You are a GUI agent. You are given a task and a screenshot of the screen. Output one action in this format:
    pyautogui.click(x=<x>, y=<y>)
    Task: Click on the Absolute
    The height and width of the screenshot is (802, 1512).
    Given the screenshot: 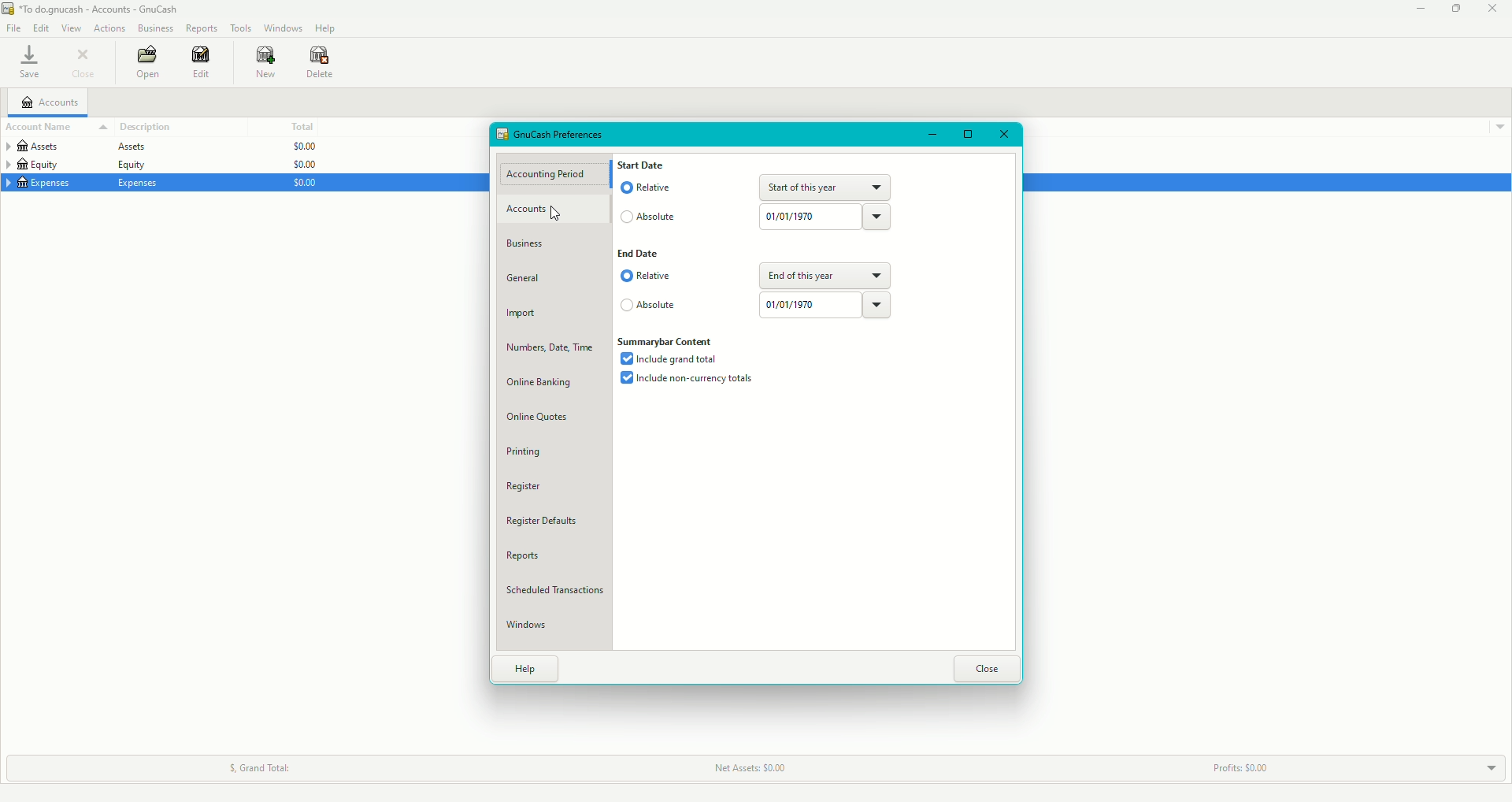 What is the action you would take?
    pyautogui.click(x=651, y=307)
    